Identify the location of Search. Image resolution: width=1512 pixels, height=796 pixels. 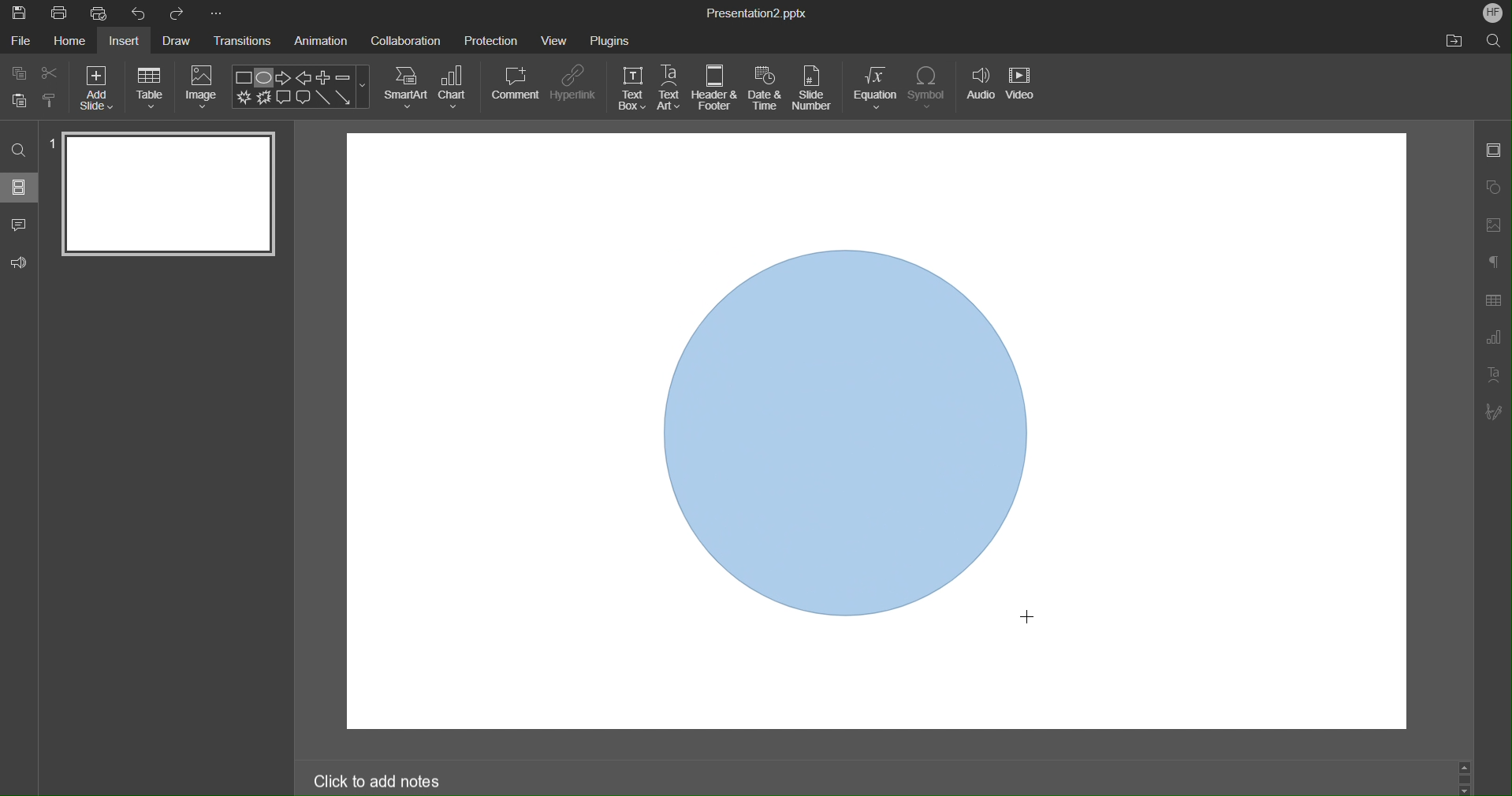
(1494, 40).